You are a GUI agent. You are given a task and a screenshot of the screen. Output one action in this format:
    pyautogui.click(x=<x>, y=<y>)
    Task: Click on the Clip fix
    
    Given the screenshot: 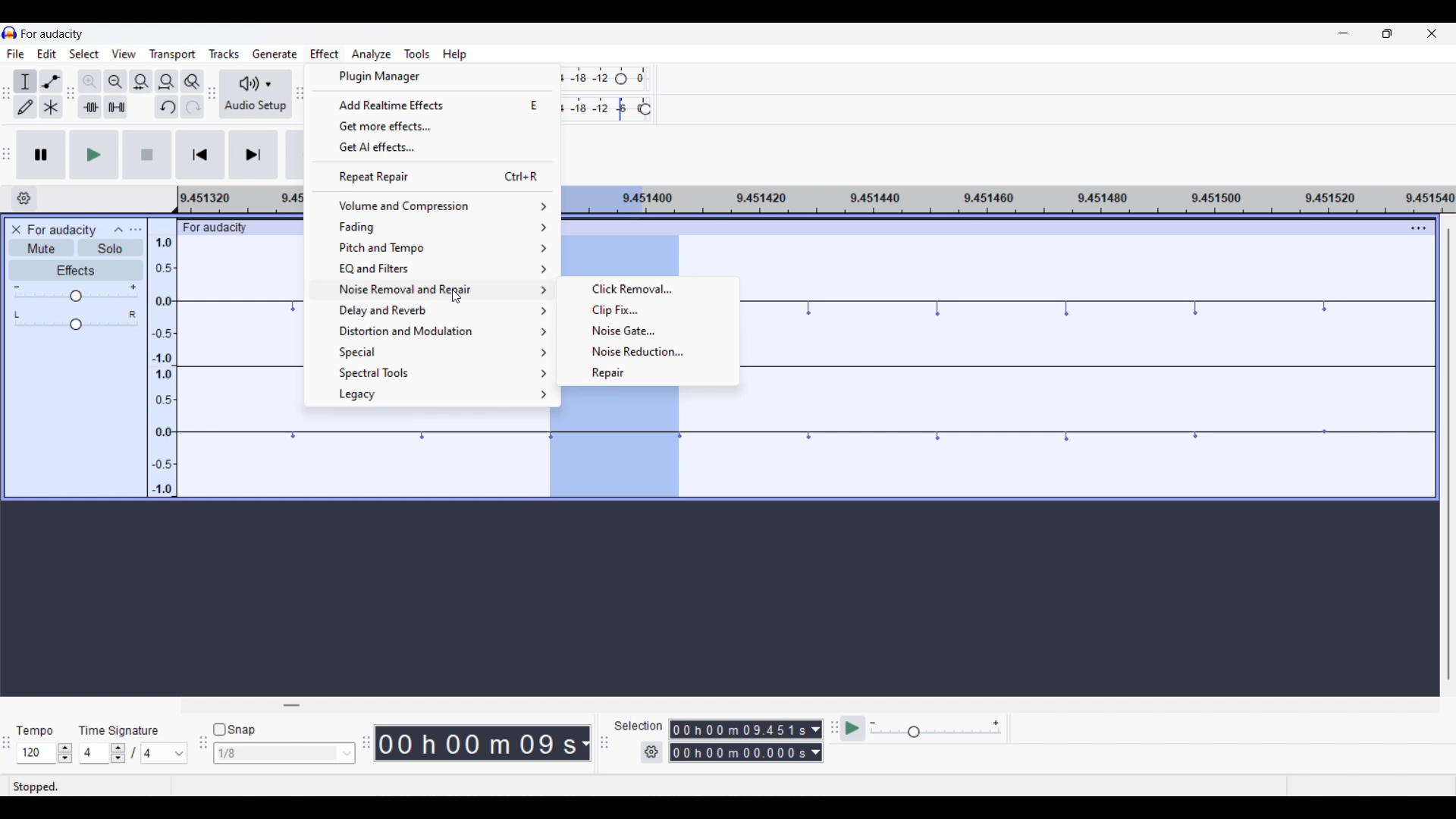 What is the action you would take?
    pyautogui.click(x=648, y=310)
    